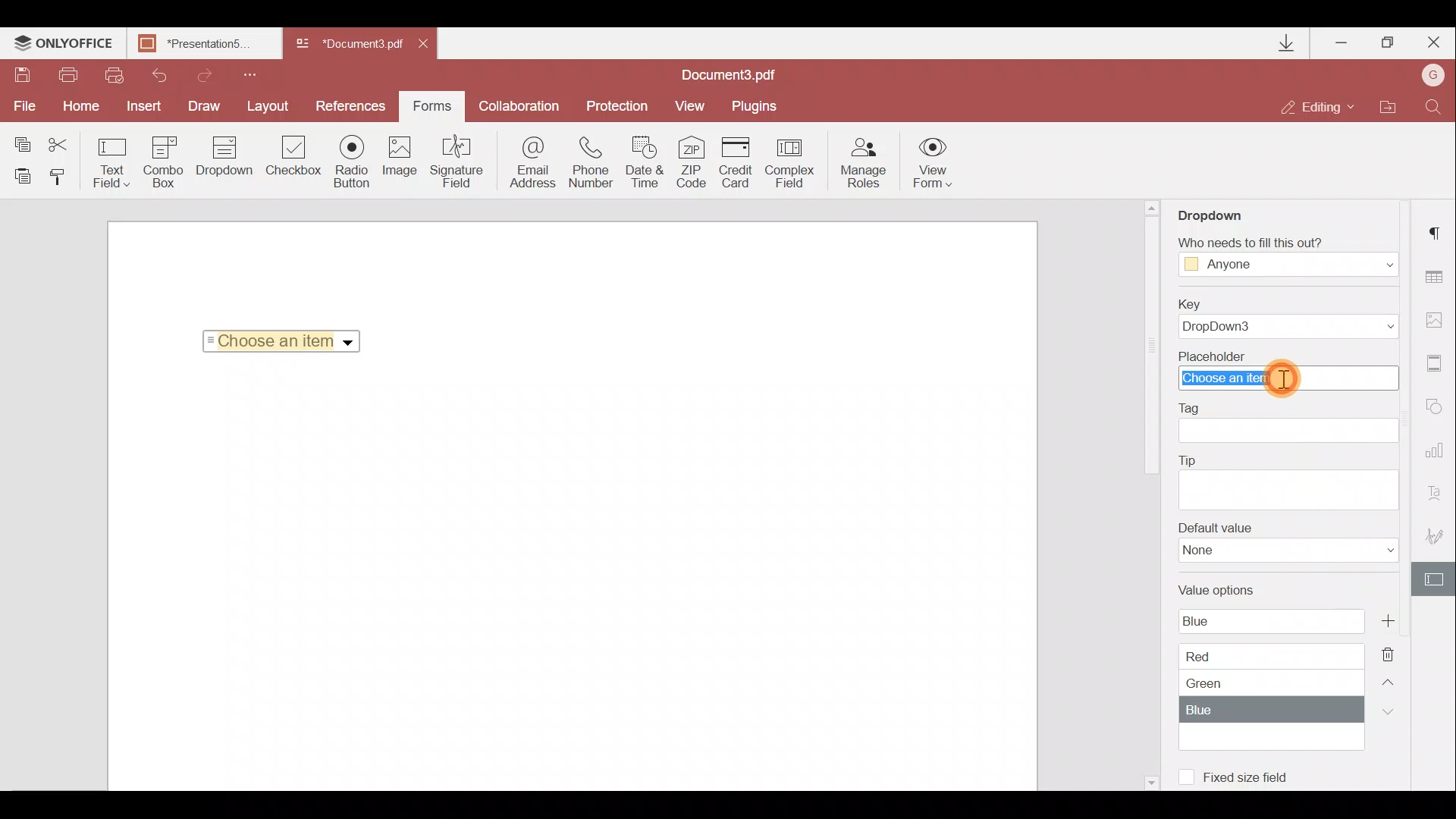 Image resolution: width=1456 pixels, height=819 pixels. I want to click on Tip, so click(1288, 480).